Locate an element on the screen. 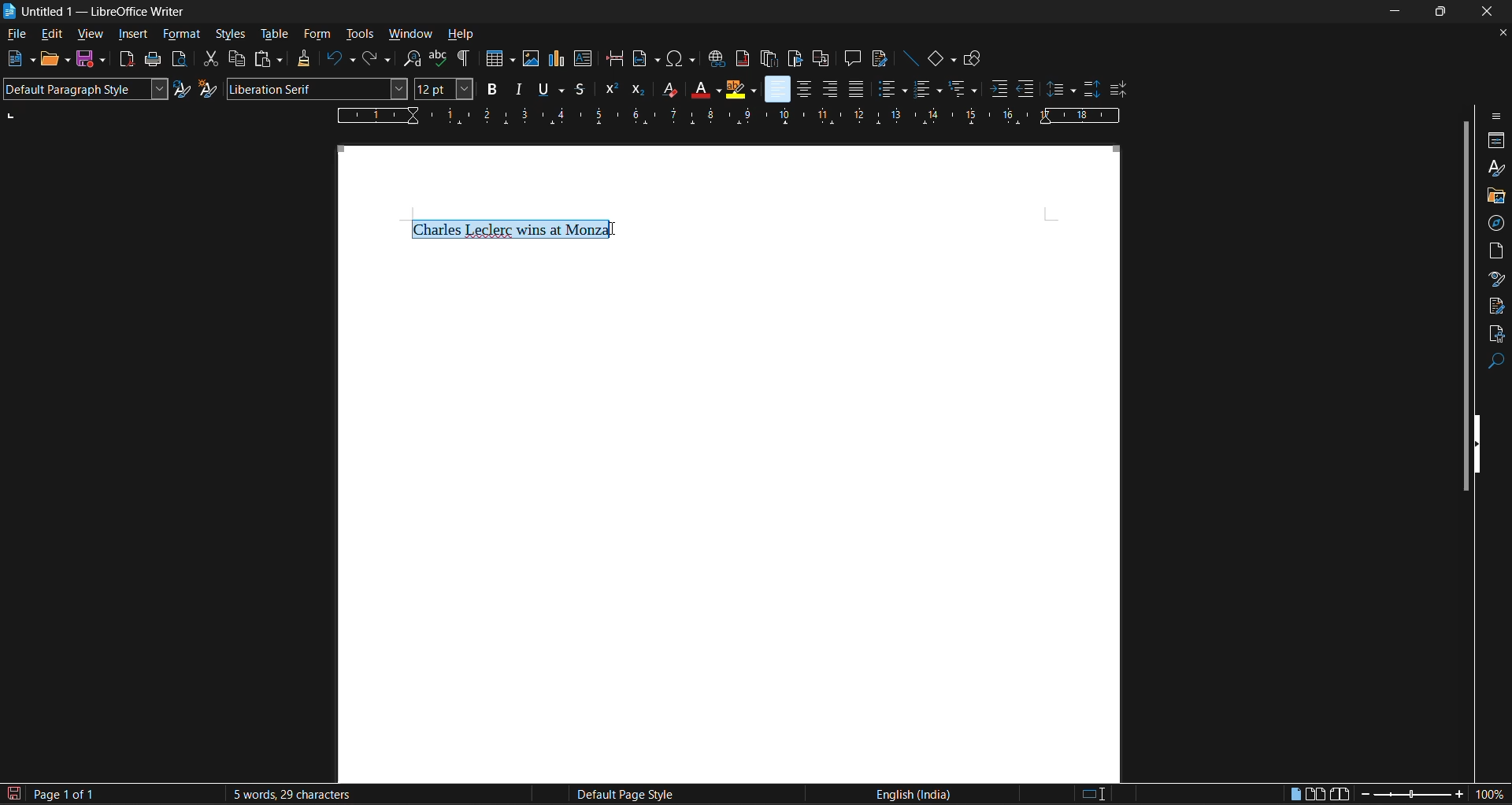 The image size is (1512, 805). edit is located at coordinates (51, 35).